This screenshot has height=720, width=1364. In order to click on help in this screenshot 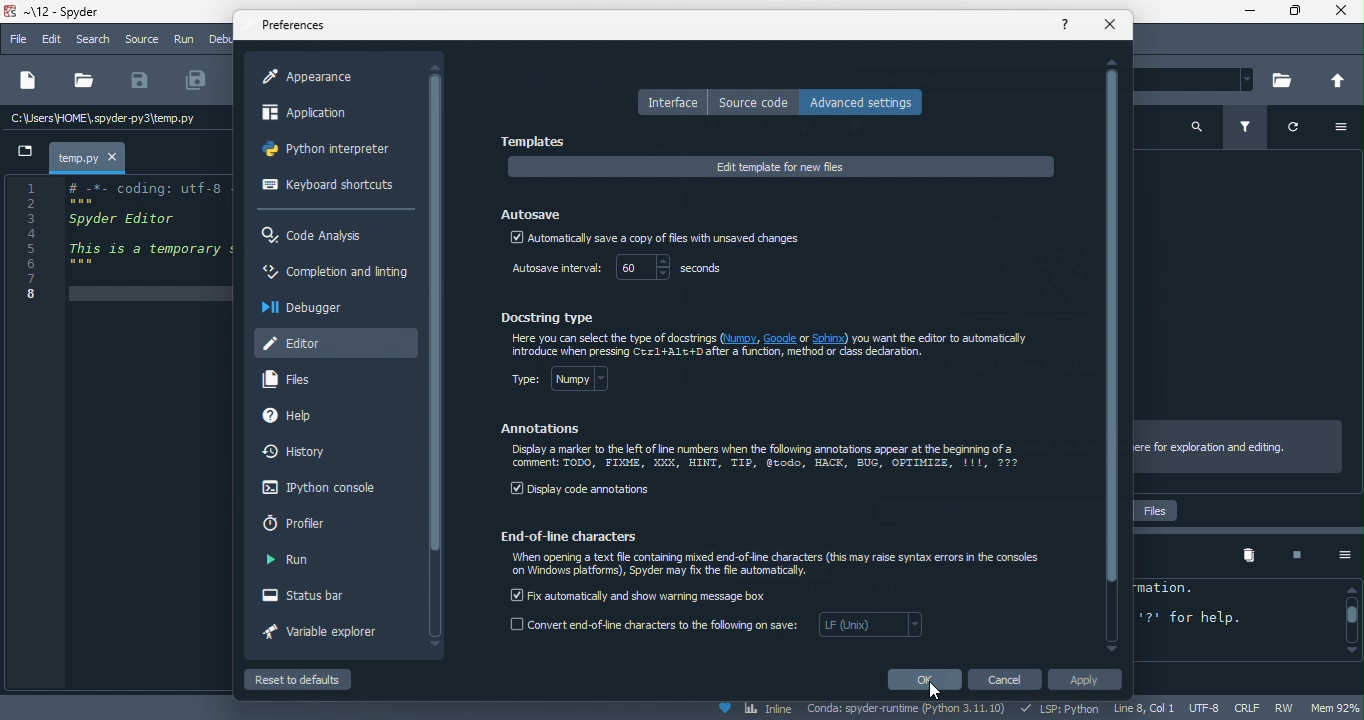, I will do `click(308, 417)`.